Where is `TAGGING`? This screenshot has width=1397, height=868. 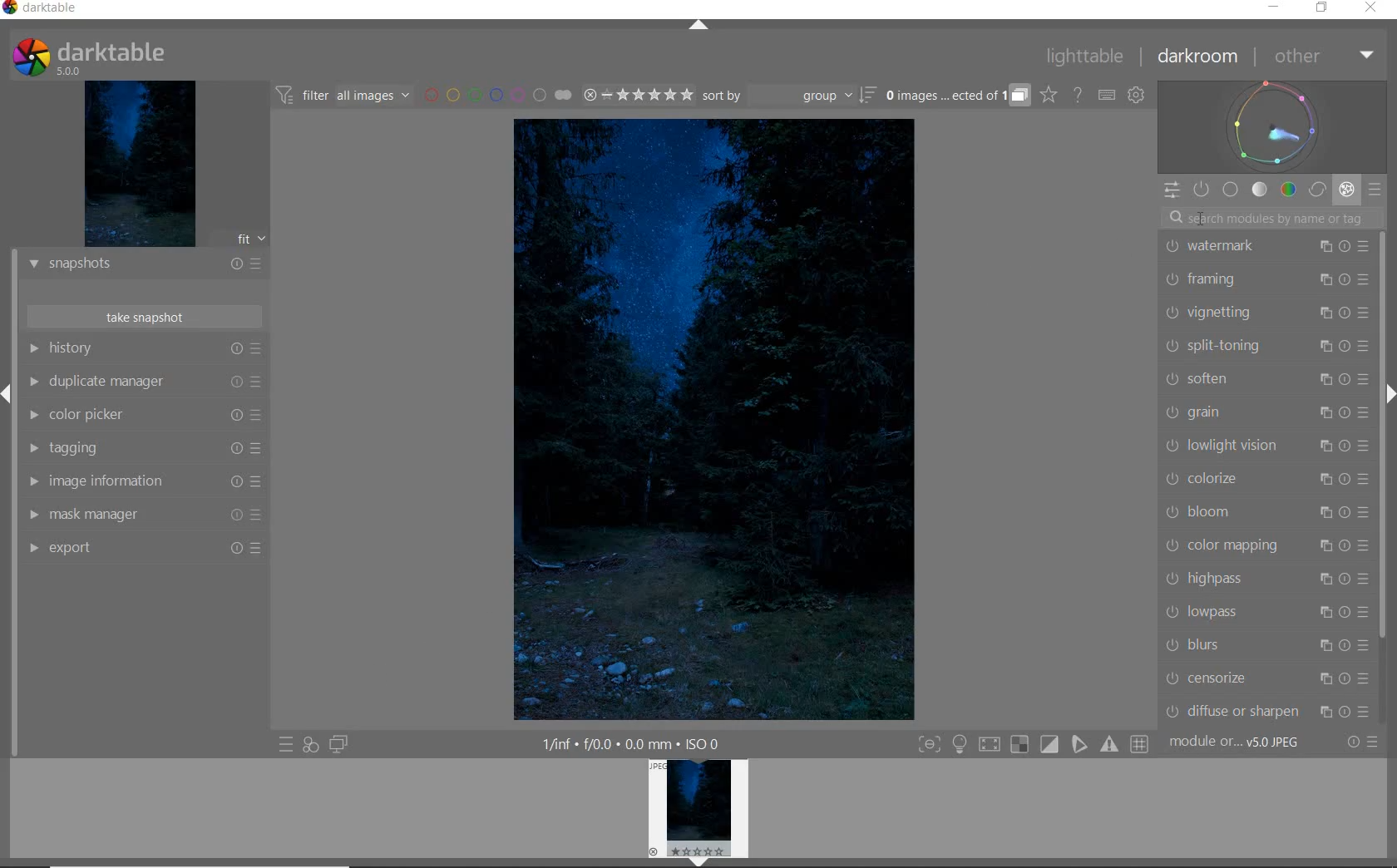 TAGGING is located at coordinates (142, 448).